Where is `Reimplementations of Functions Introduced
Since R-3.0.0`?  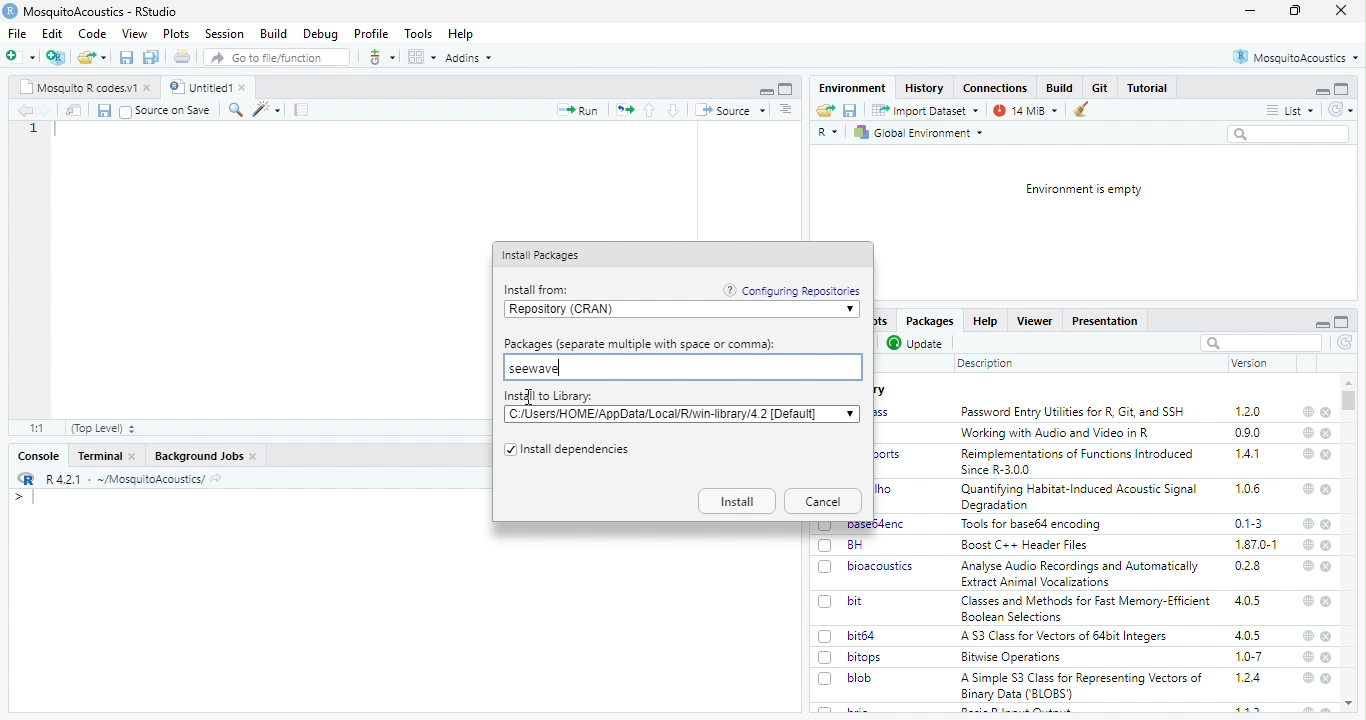 Reimplementations of Functions Introduced
Since R-3.0.0 is located at coordinates (1081, 462).